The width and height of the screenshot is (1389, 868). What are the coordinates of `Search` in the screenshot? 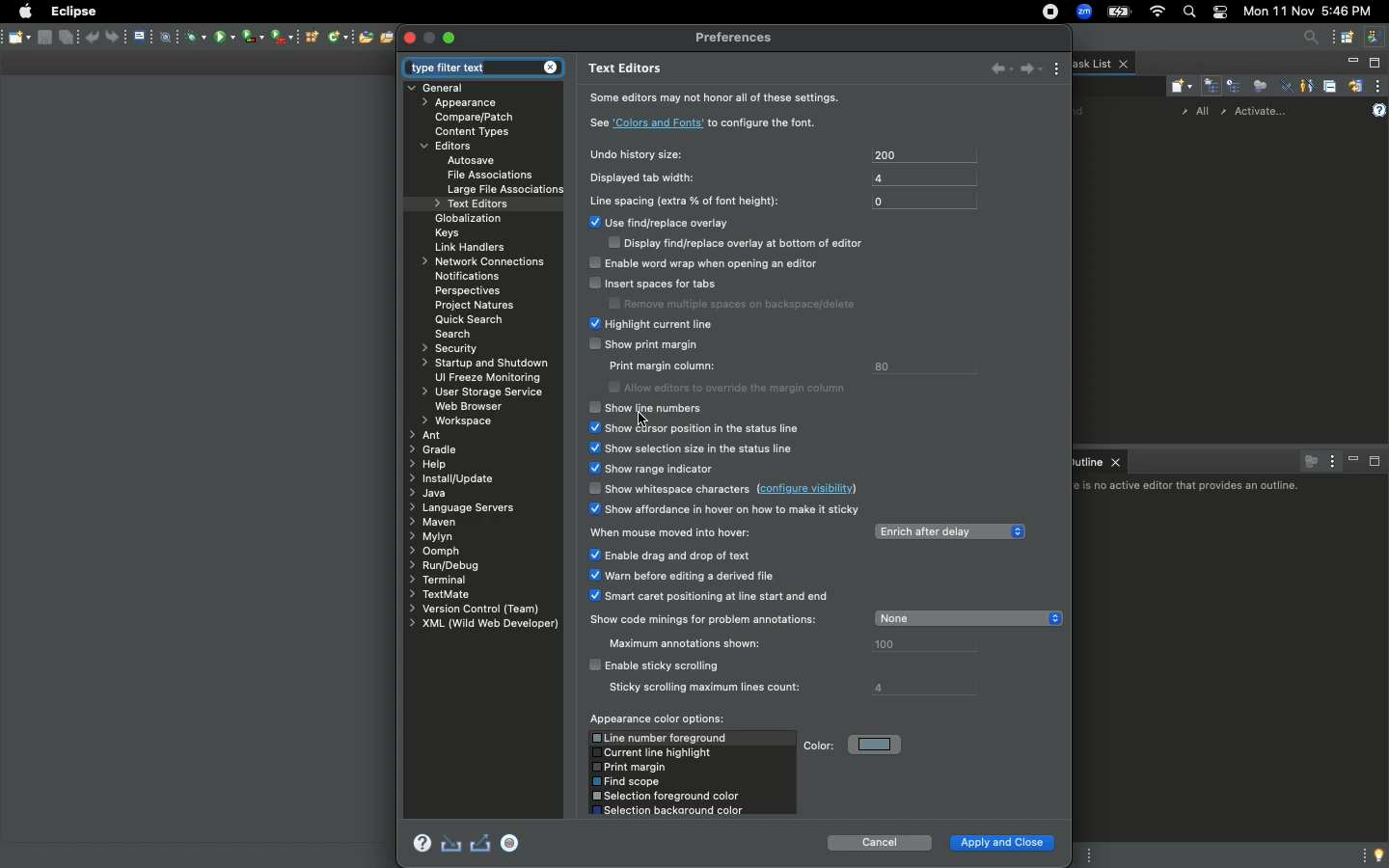 It's located at (458, 334).